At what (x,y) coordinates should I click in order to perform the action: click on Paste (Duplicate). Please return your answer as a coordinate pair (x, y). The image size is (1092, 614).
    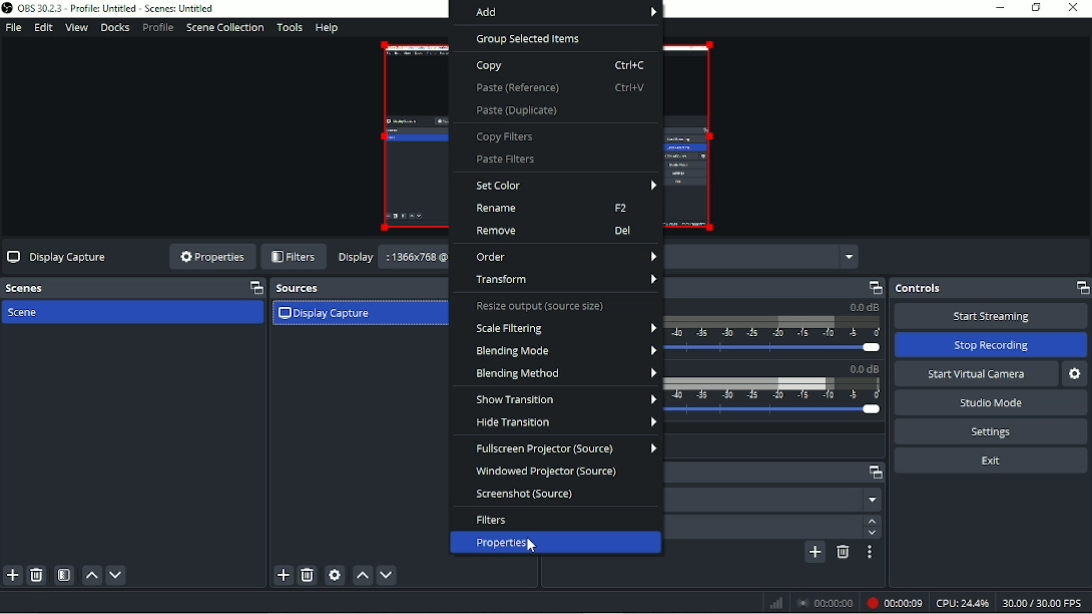
    Looking at the image, I should click on (518, 112).